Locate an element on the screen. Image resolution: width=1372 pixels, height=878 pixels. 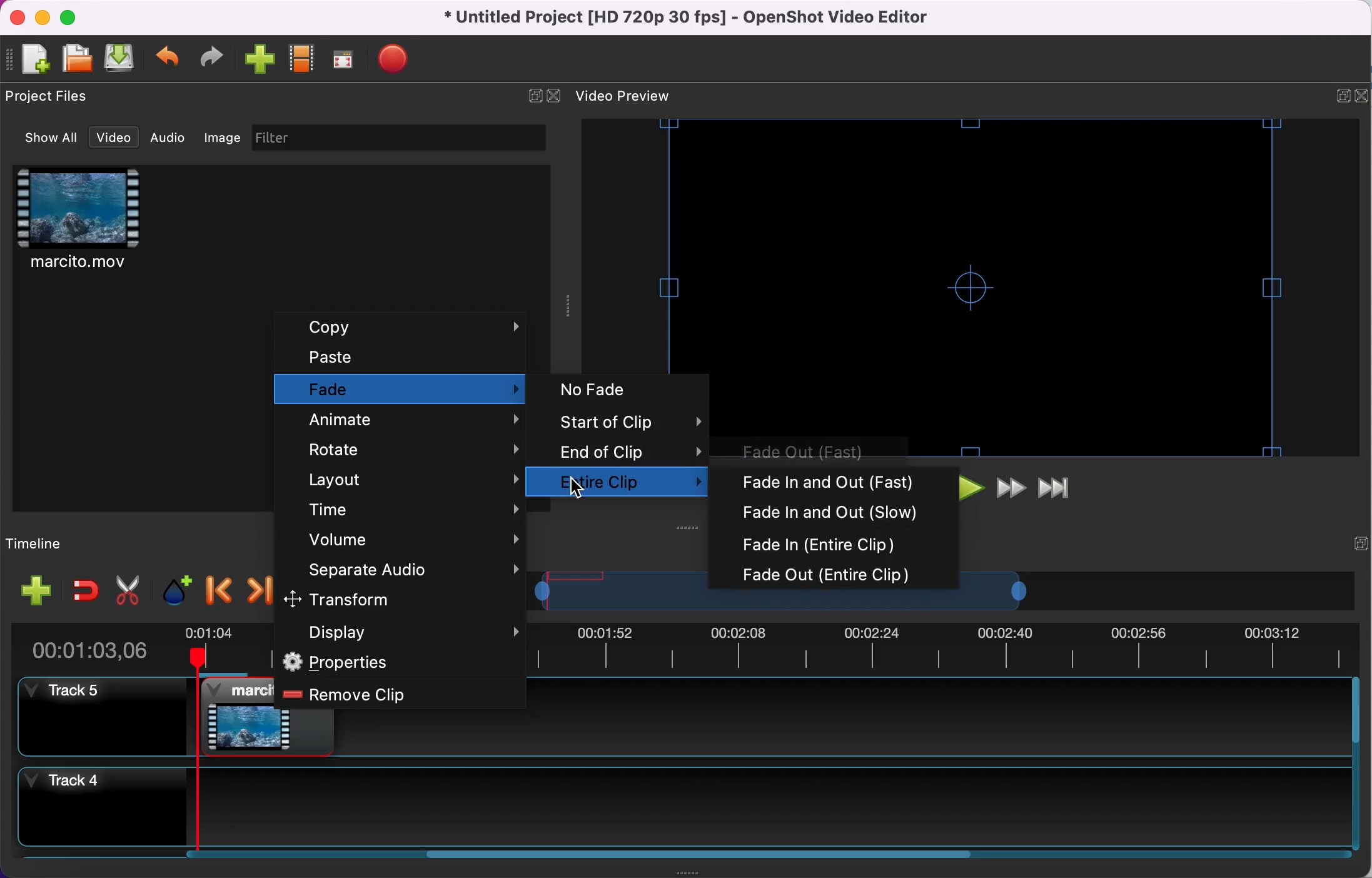
audio is located at coordinates (167, 136).